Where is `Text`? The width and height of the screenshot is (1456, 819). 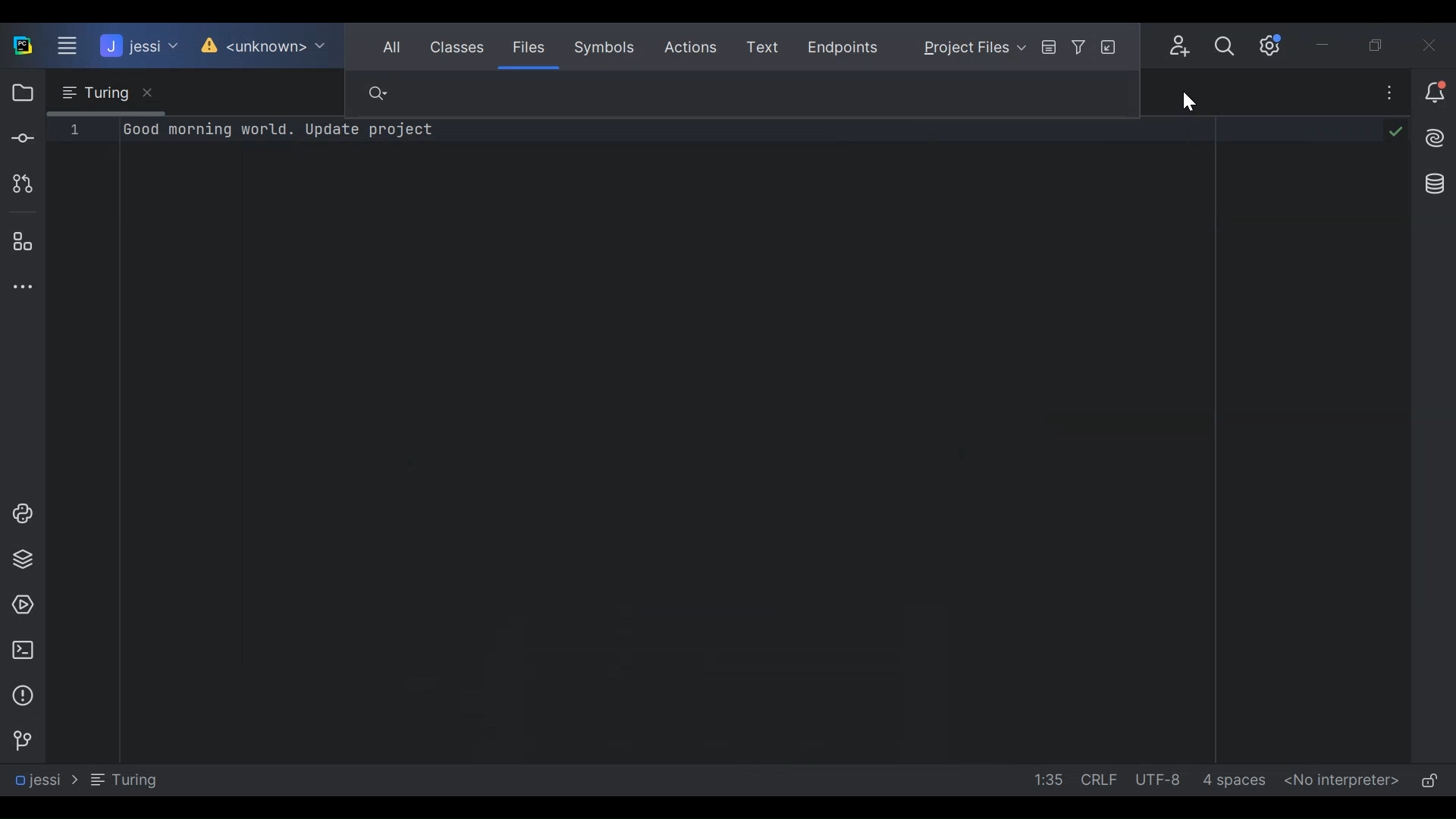 Text is located at coordinates (772, 45).